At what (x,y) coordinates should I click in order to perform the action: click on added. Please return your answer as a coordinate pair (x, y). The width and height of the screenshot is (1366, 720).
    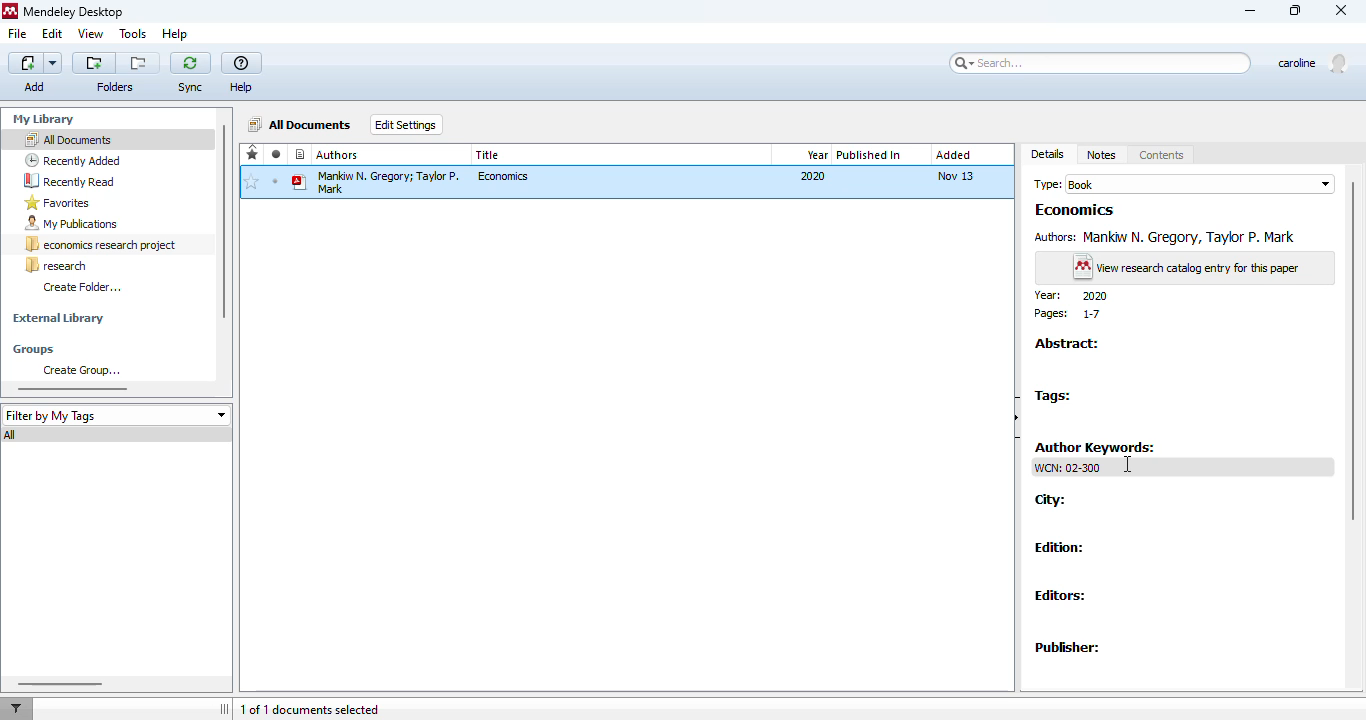
    Looking at the image, I should click on (954, 155).